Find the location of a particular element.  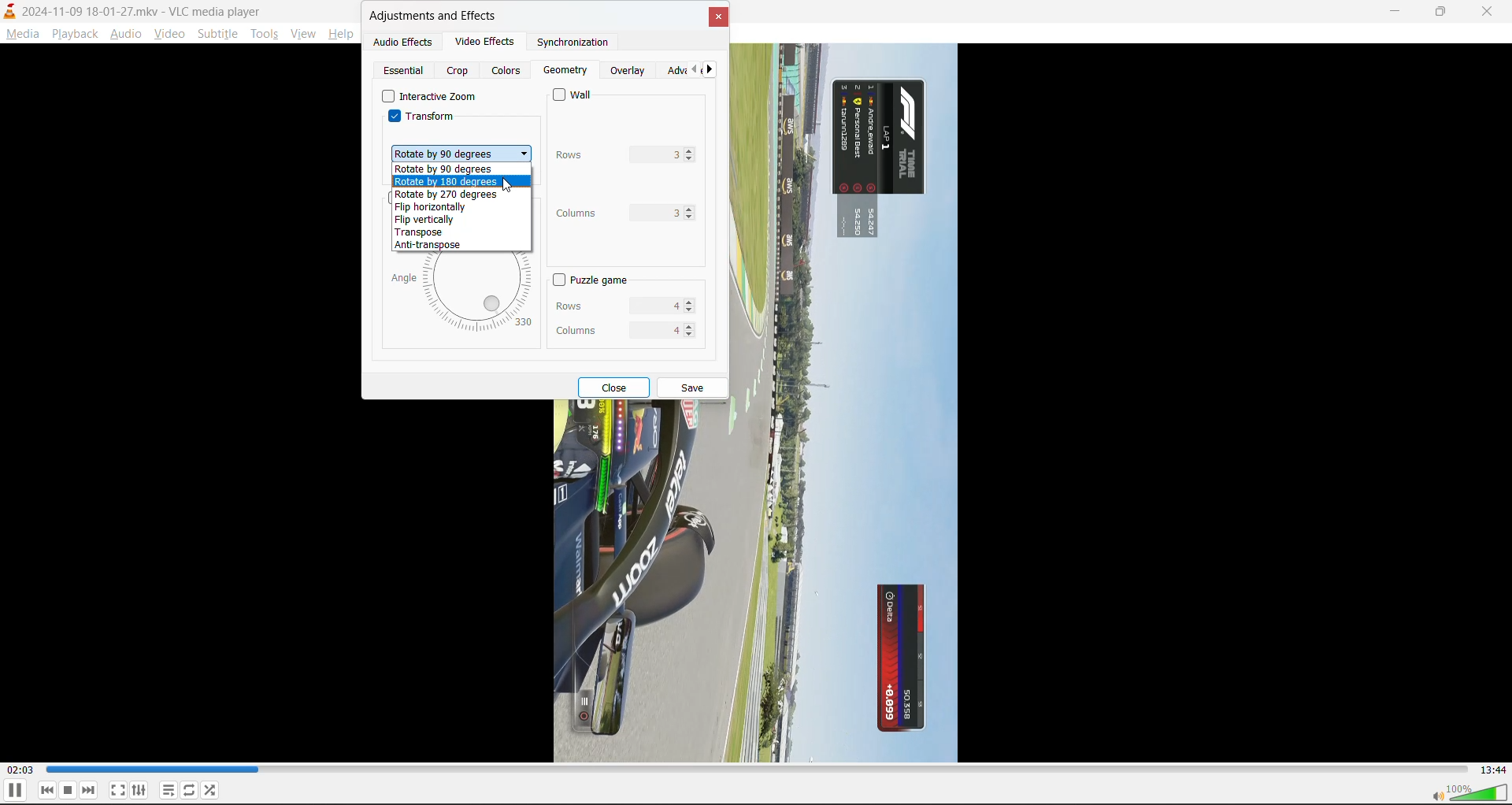

columns is located at coordinates (612, 211).